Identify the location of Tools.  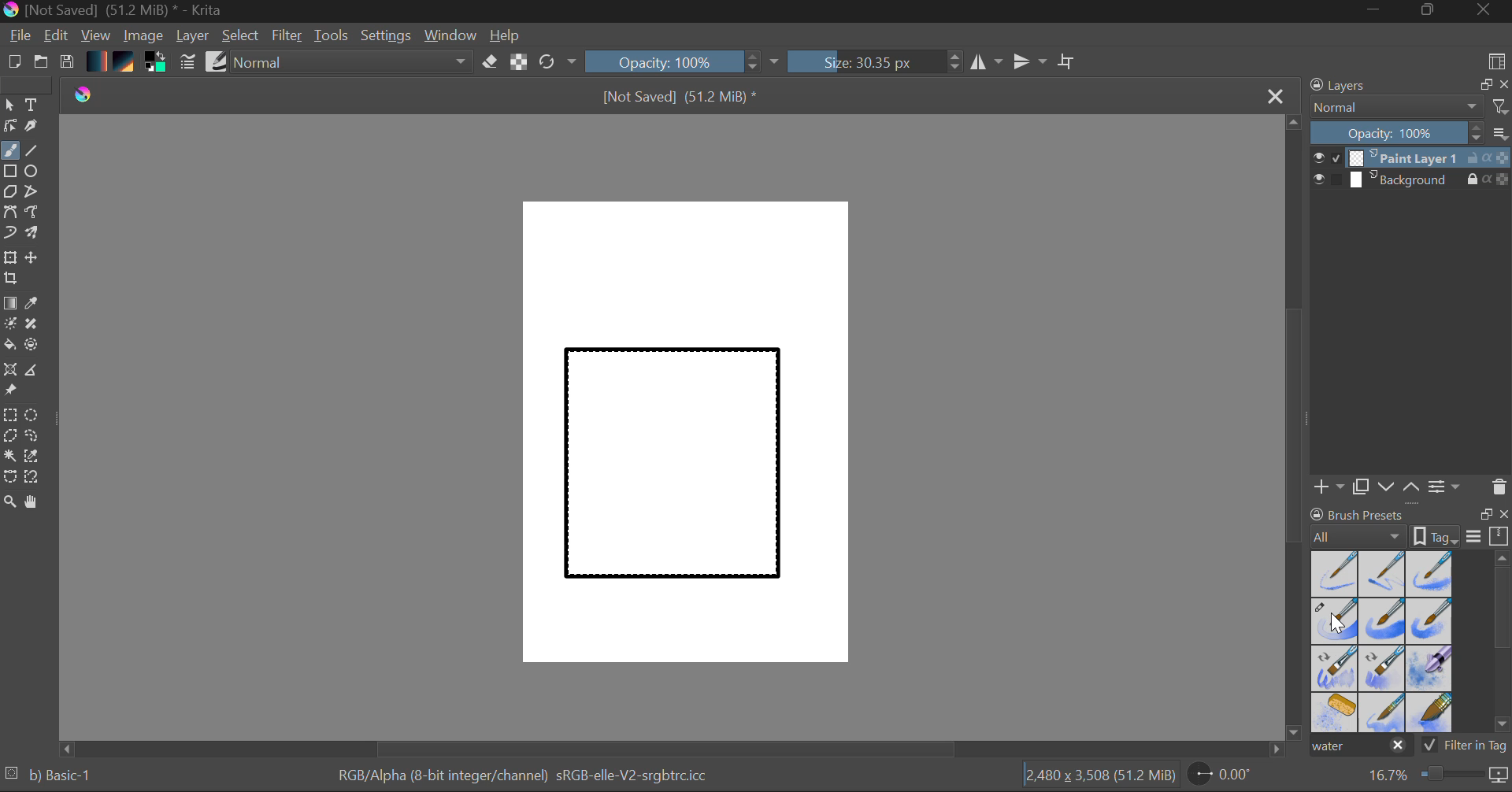
(332, 36).